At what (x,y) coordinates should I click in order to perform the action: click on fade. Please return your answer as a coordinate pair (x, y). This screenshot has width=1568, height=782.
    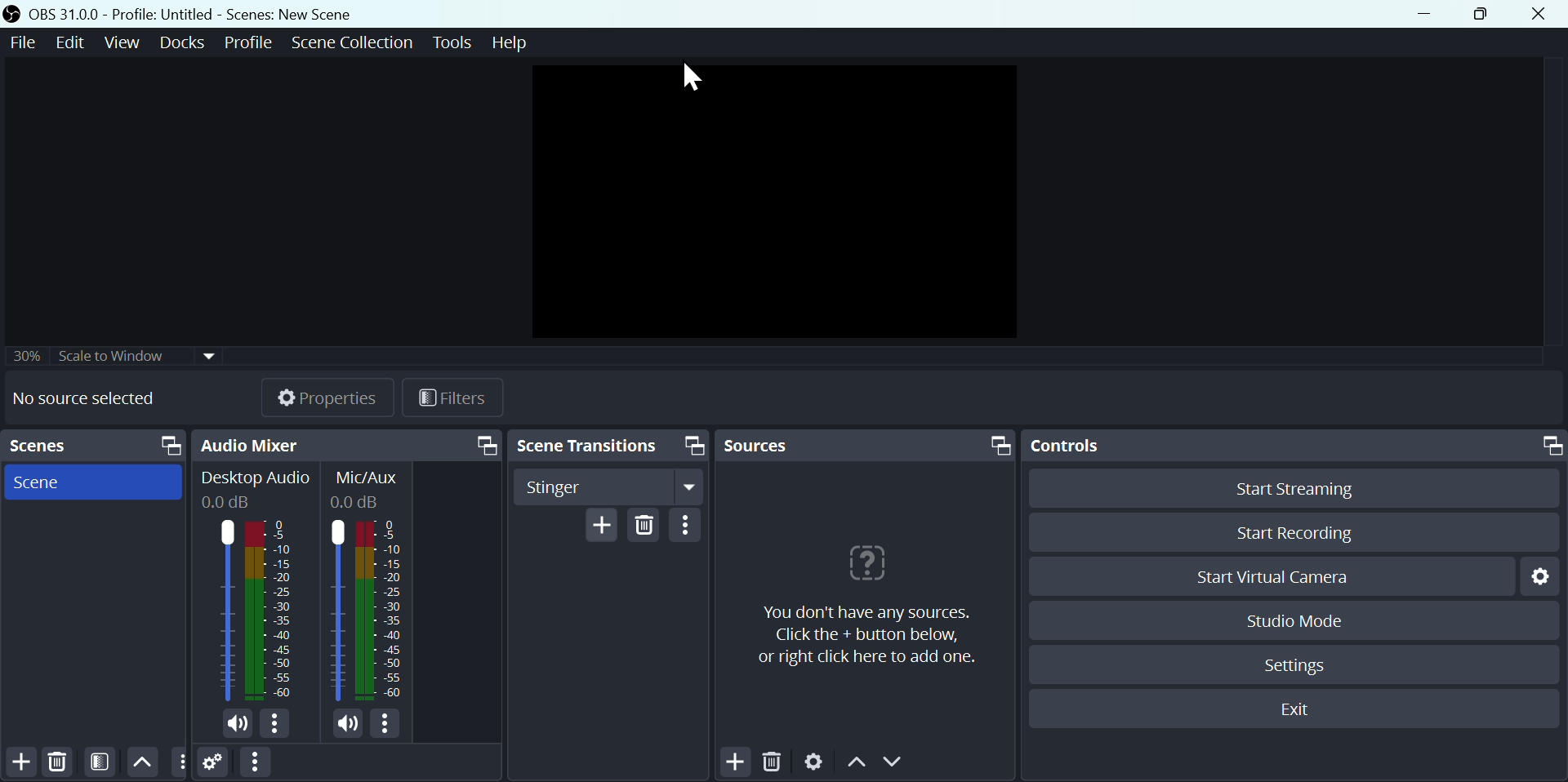
    Looking at the image, I should click on (608, 489).